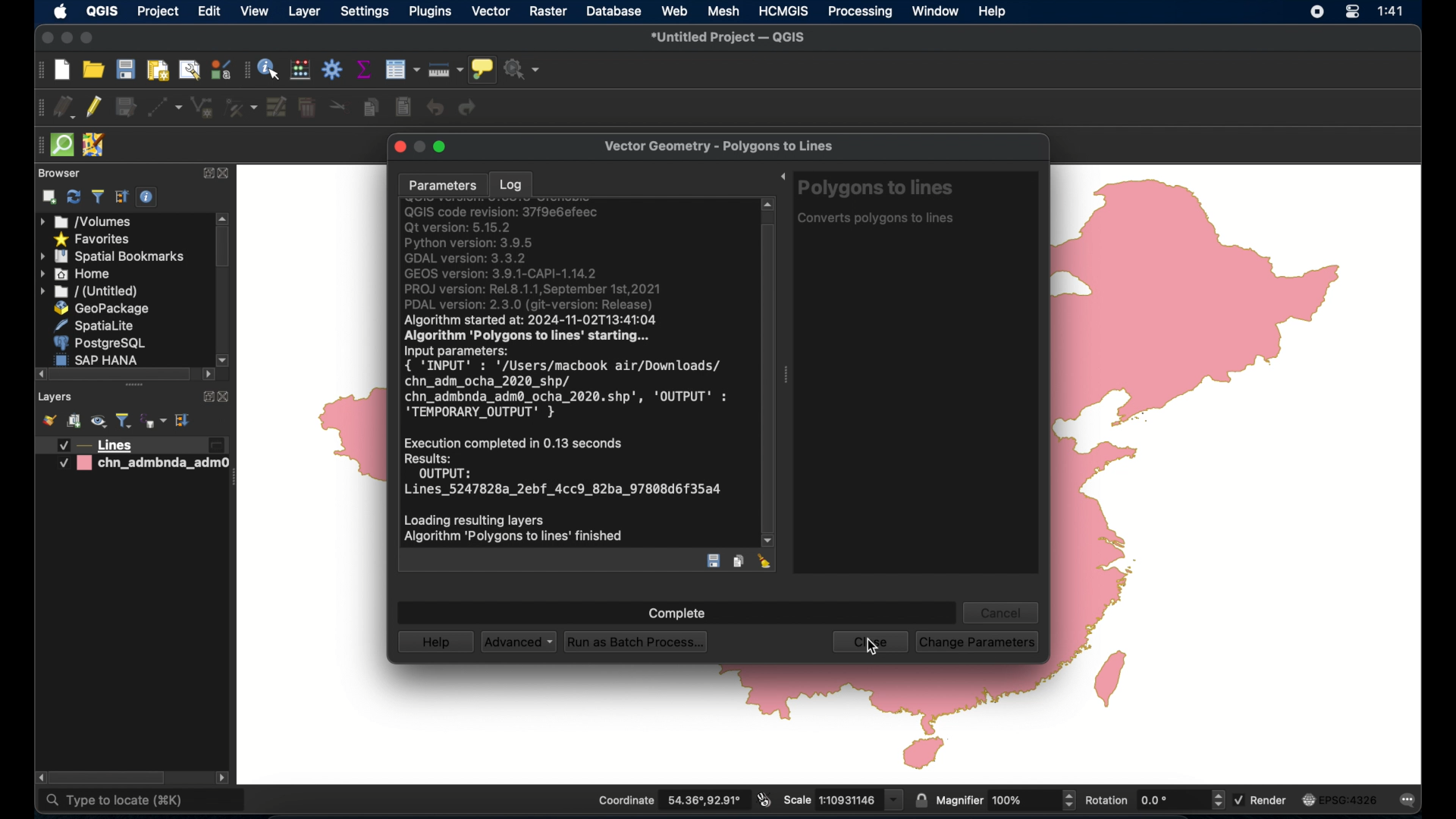 Image resolution: width=1456 pixels, height=819 pixels. I want to click on layers, so click(55, 398).